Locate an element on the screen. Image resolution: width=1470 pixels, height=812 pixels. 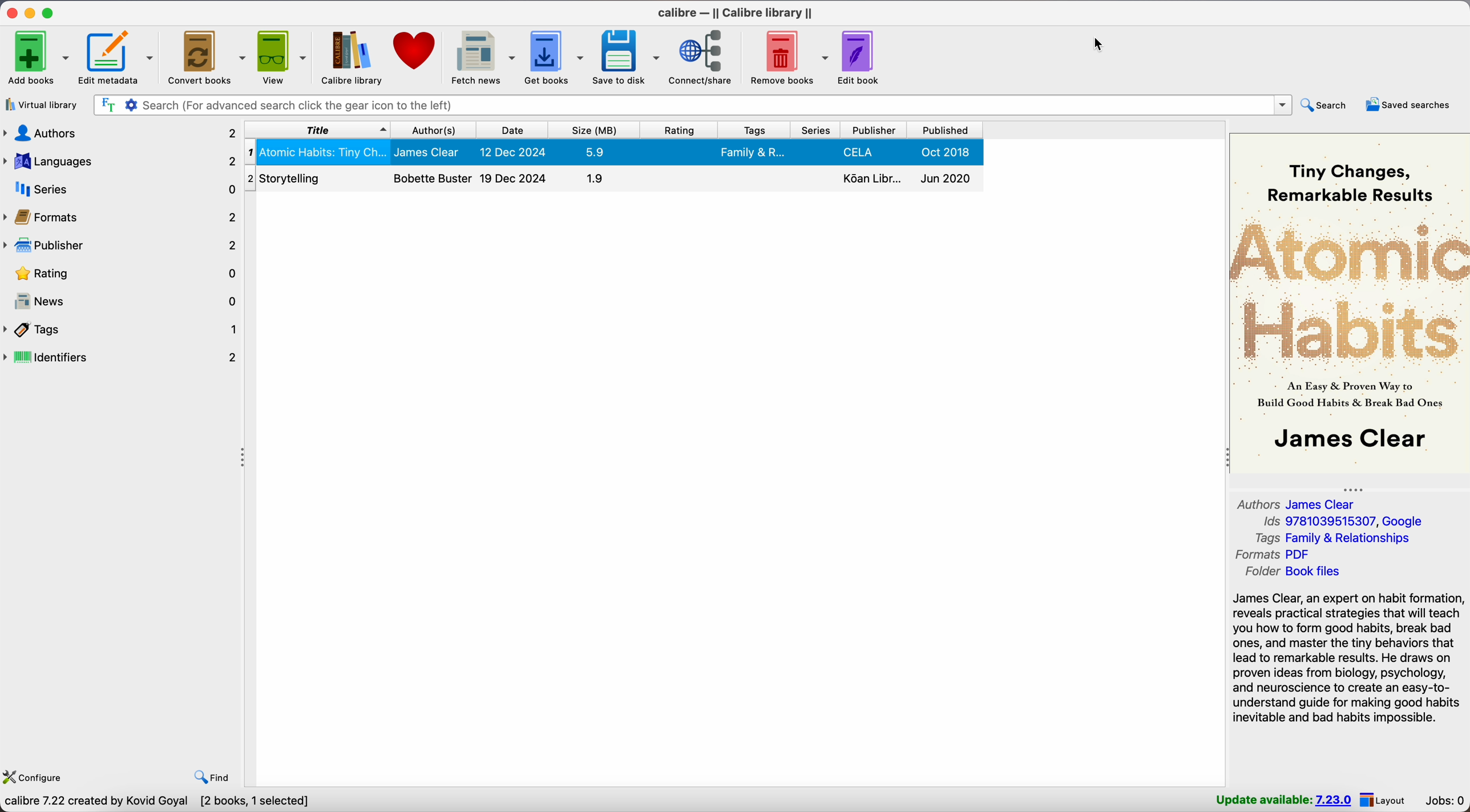
Calibre library is located at coordinates (351, 57).